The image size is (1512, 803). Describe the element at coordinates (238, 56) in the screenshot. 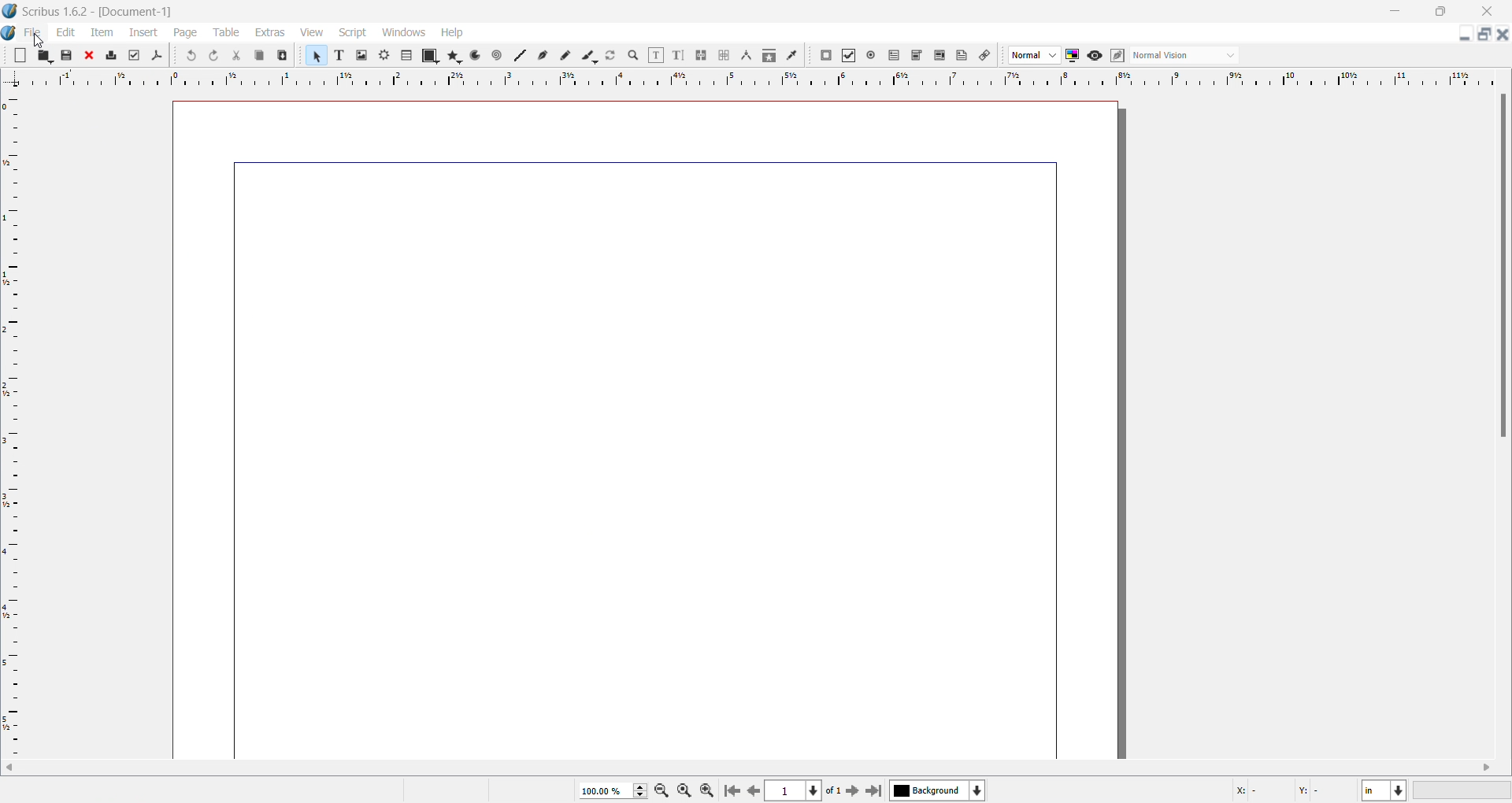

I see `cut` at that location.